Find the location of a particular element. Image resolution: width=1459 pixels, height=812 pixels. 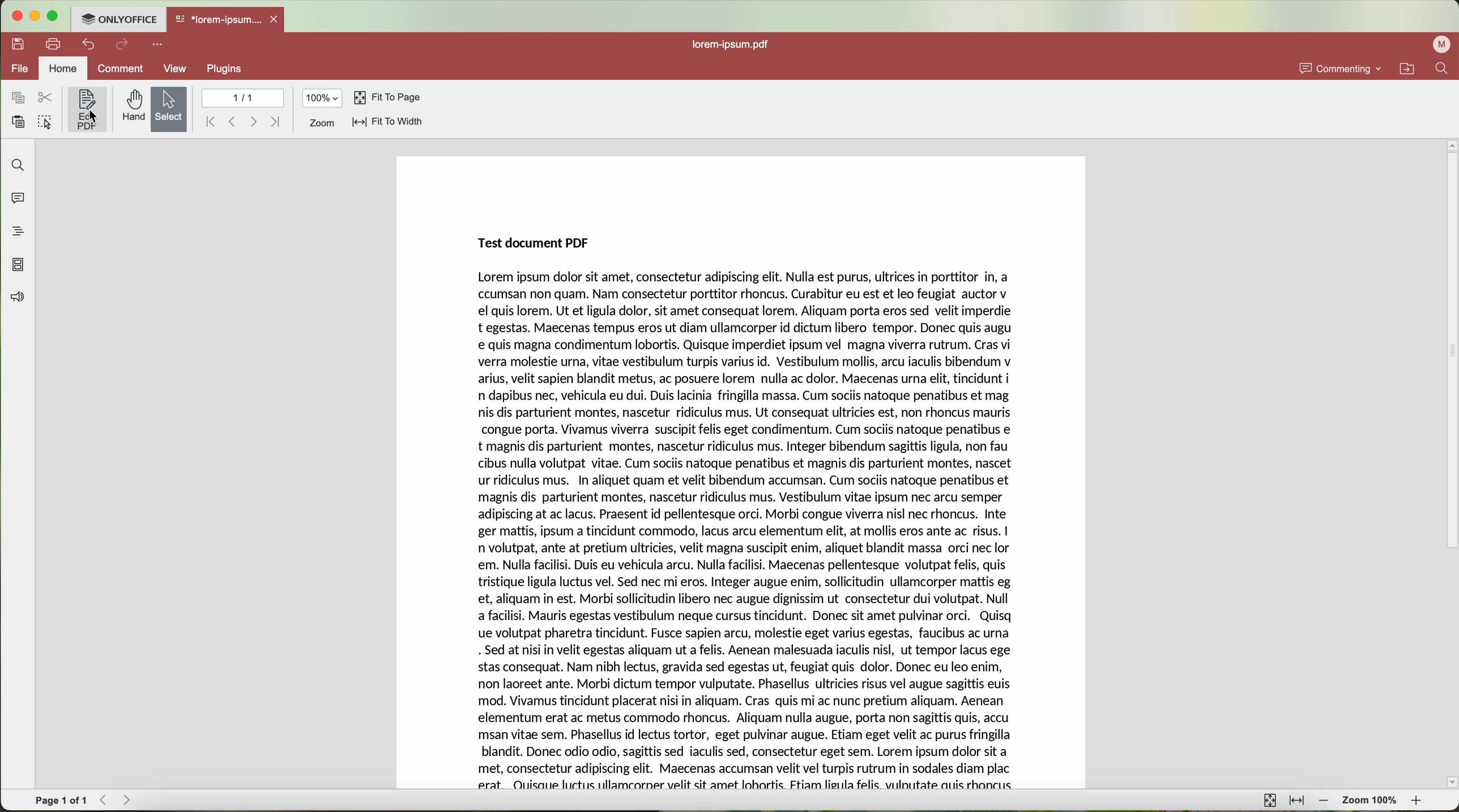

view is located at coordinates (176, 70).